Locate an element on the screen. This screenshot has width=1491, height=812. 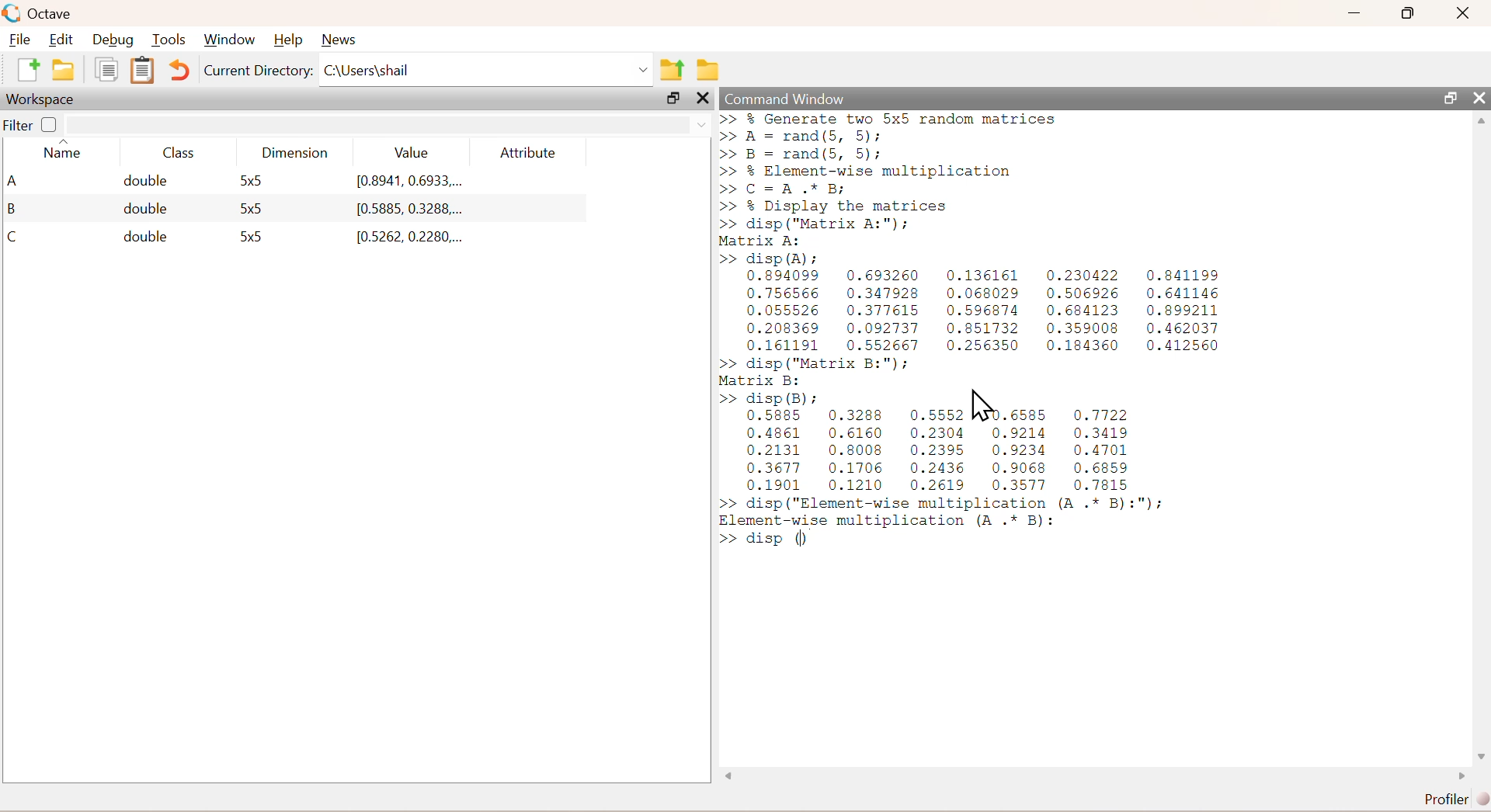
Dropdown is located at coordinates (695, 123).